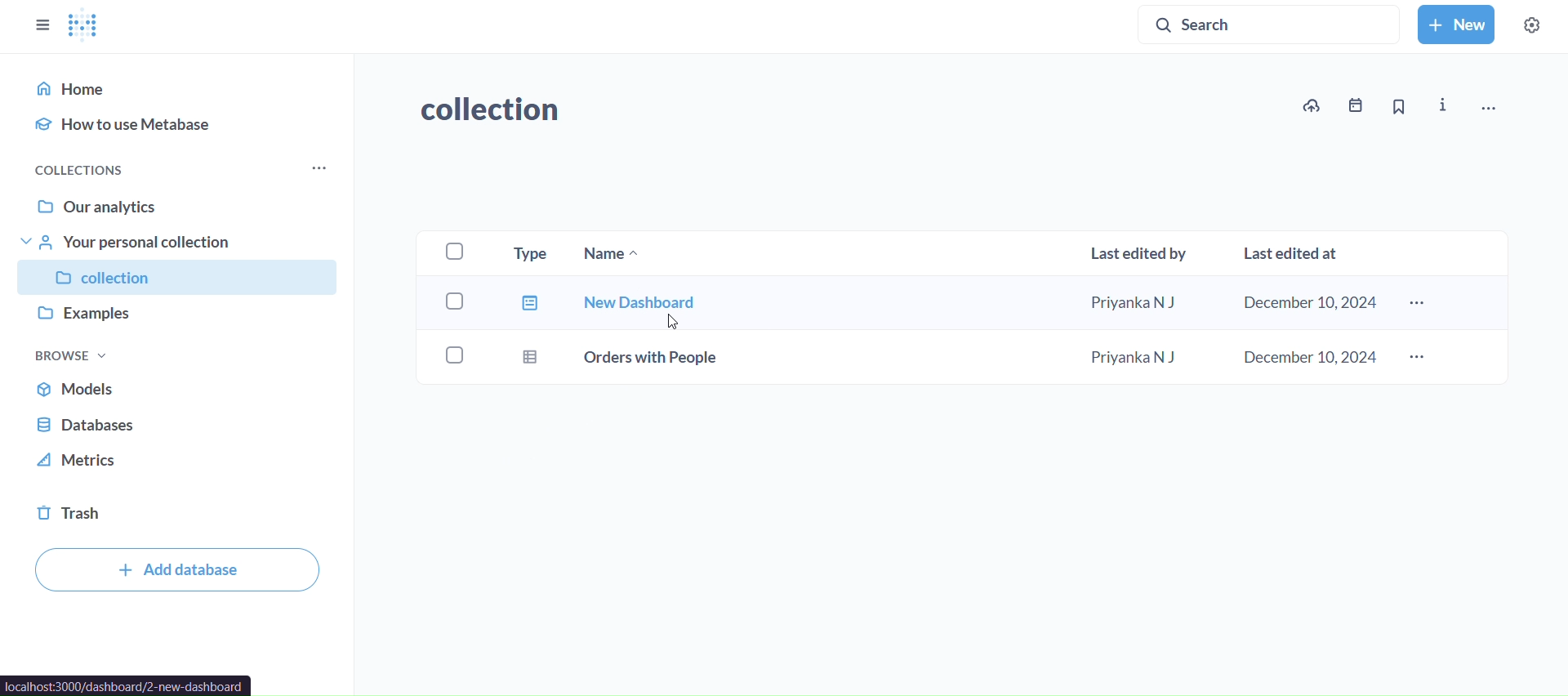 This screenshot has width=1568, height=696. I want to click on collections, so click(90, 169).